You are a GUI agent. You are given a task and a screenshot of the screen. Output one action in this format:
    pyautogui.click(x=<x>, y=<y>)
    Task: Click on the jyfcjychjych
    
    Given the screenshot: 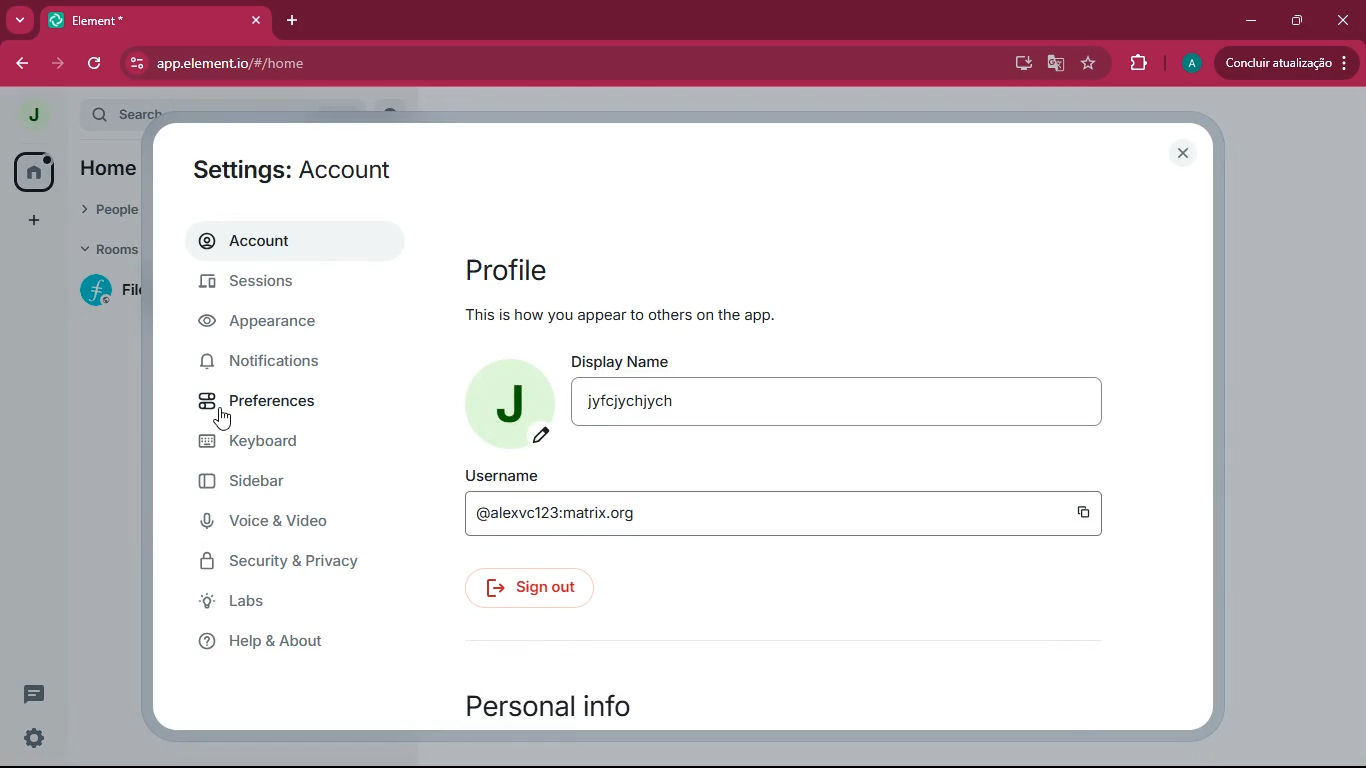 What is the action you would take?
    pyautogui.click(x=631, y=403)
    